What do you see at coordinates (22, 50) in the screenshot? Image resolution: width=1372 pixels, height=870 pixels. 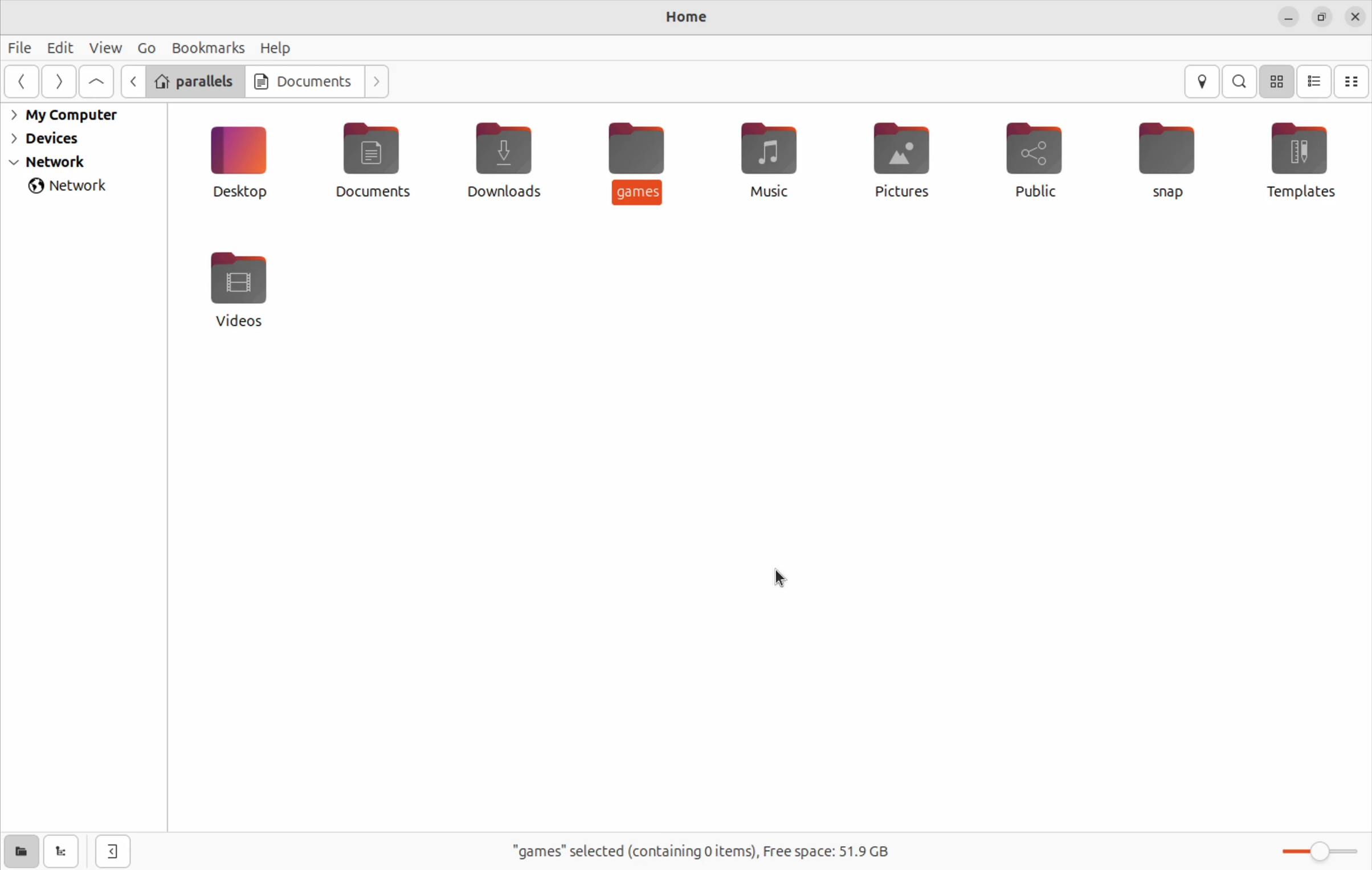 I see `File` at bounding box center [22, 50].